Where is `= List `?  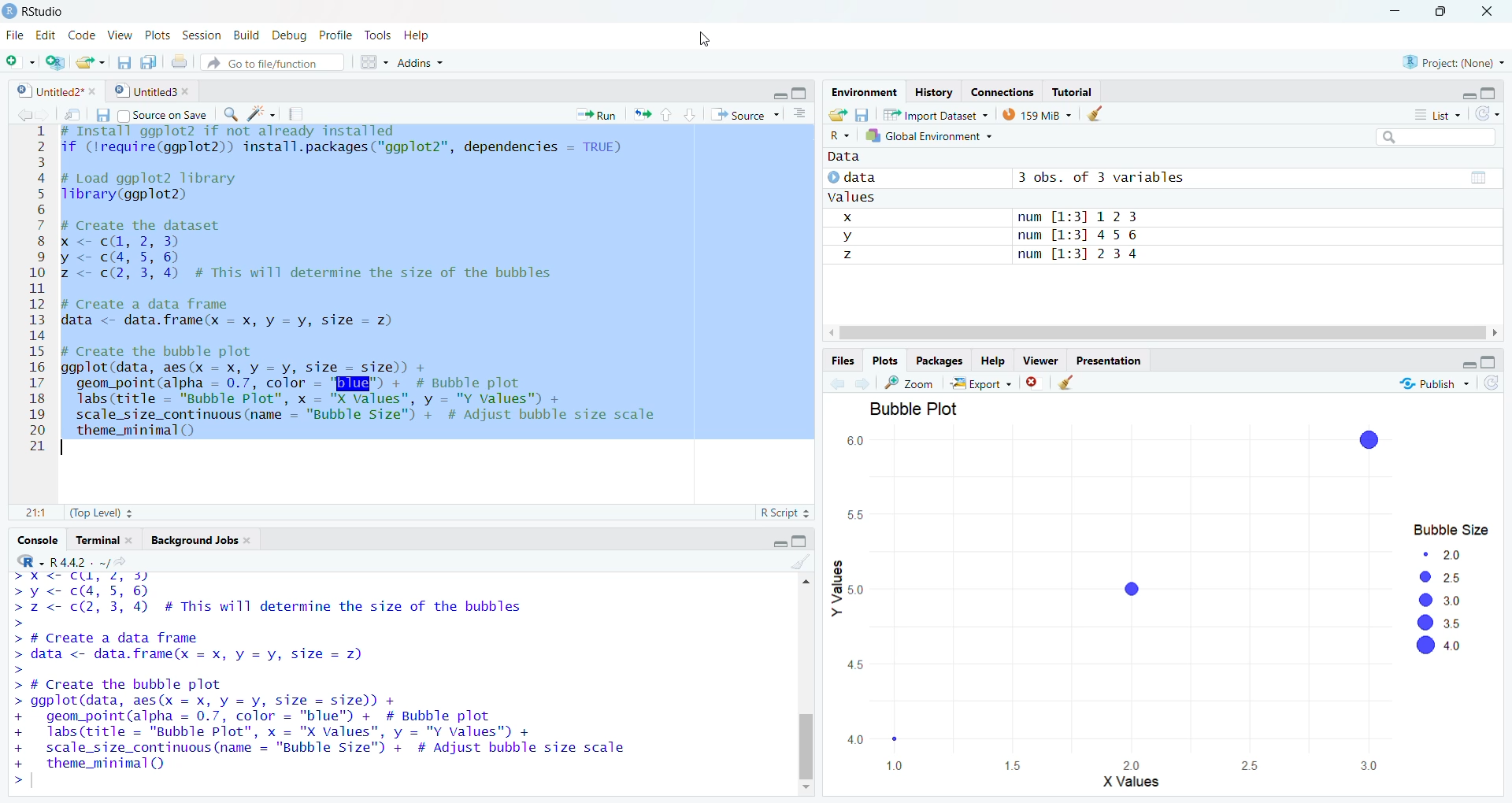 = List  is located at coordinates (1429, 113).